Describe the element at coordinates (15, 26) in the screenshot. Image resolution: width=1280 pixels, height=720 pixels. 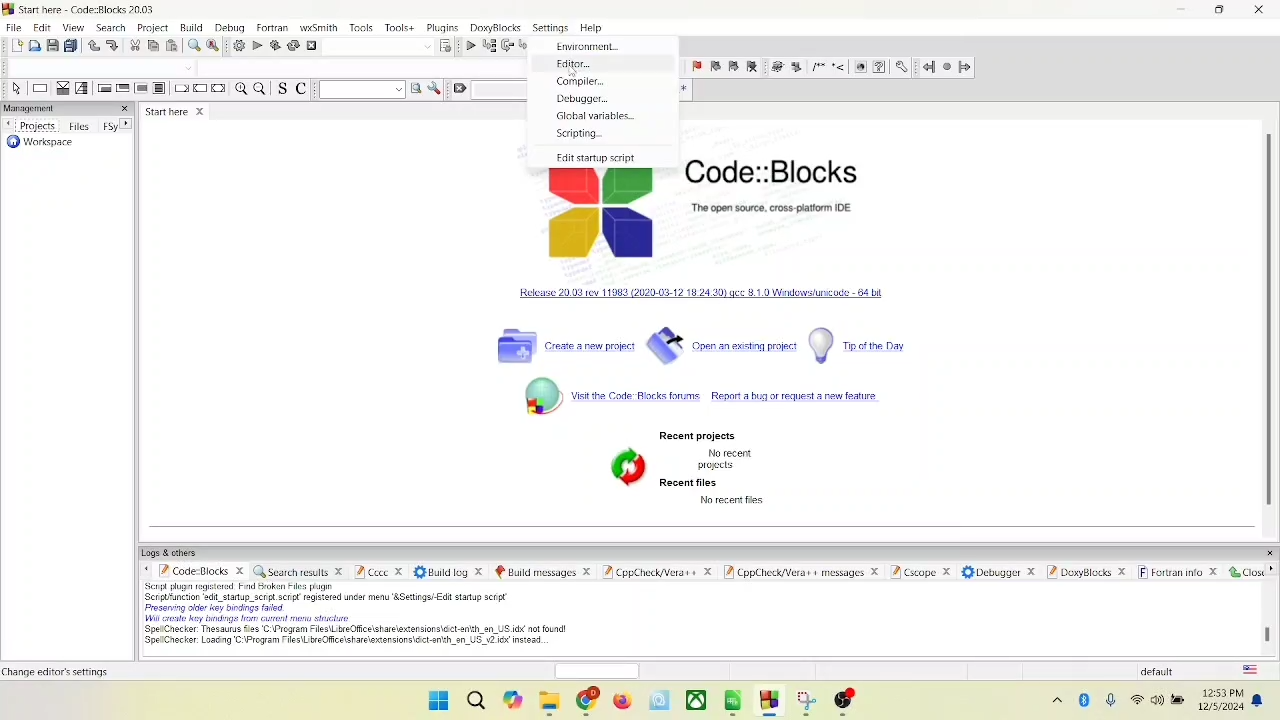
I see `file` at that location.